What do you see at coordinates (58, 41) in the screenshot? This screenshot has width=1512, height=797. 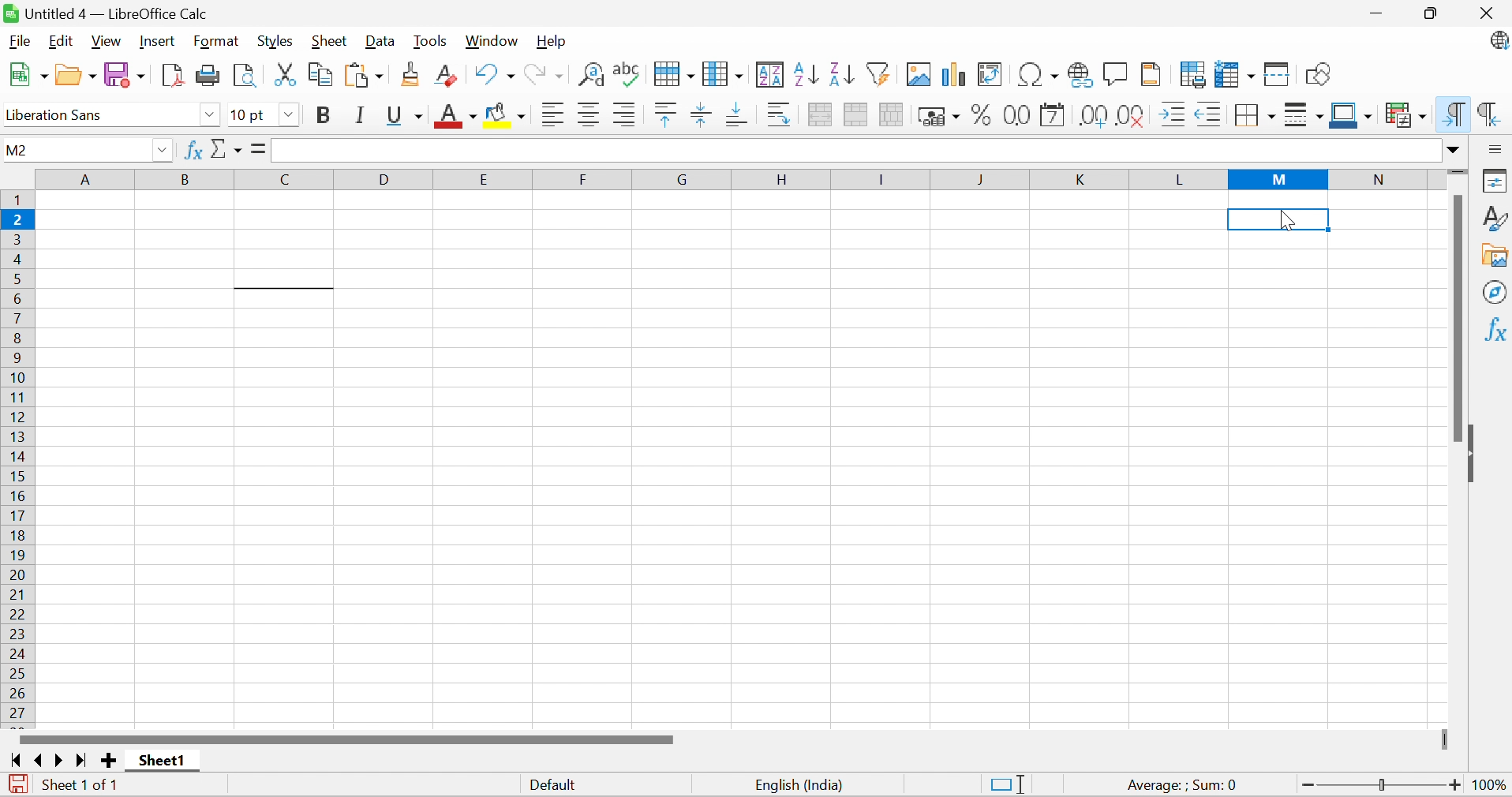 I see `Edit` at bounding box center [58, 41].